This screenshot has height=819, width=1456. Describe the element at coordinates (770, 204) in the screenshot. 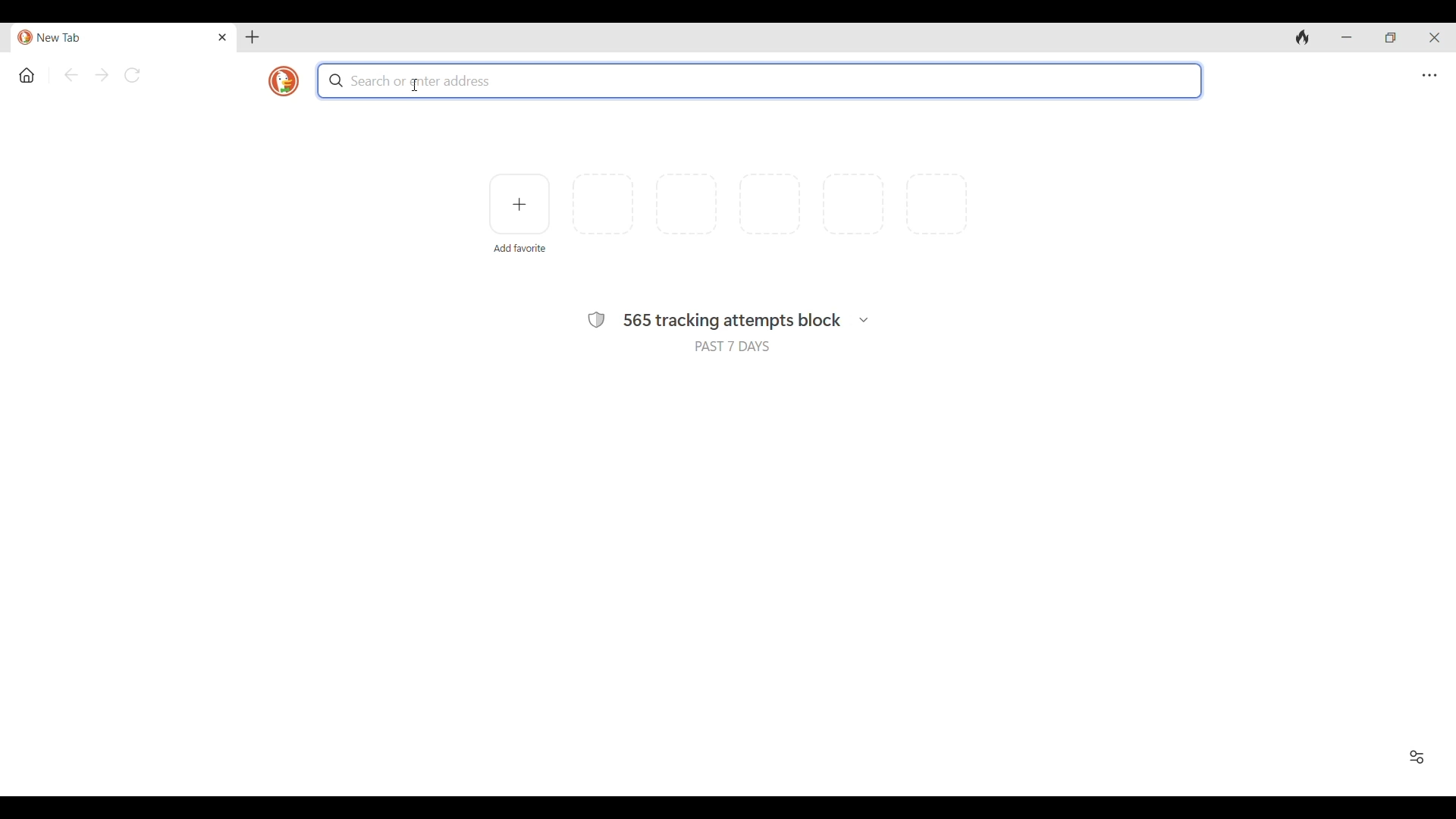

I see `Space for adding more site shortcuts` at that location.